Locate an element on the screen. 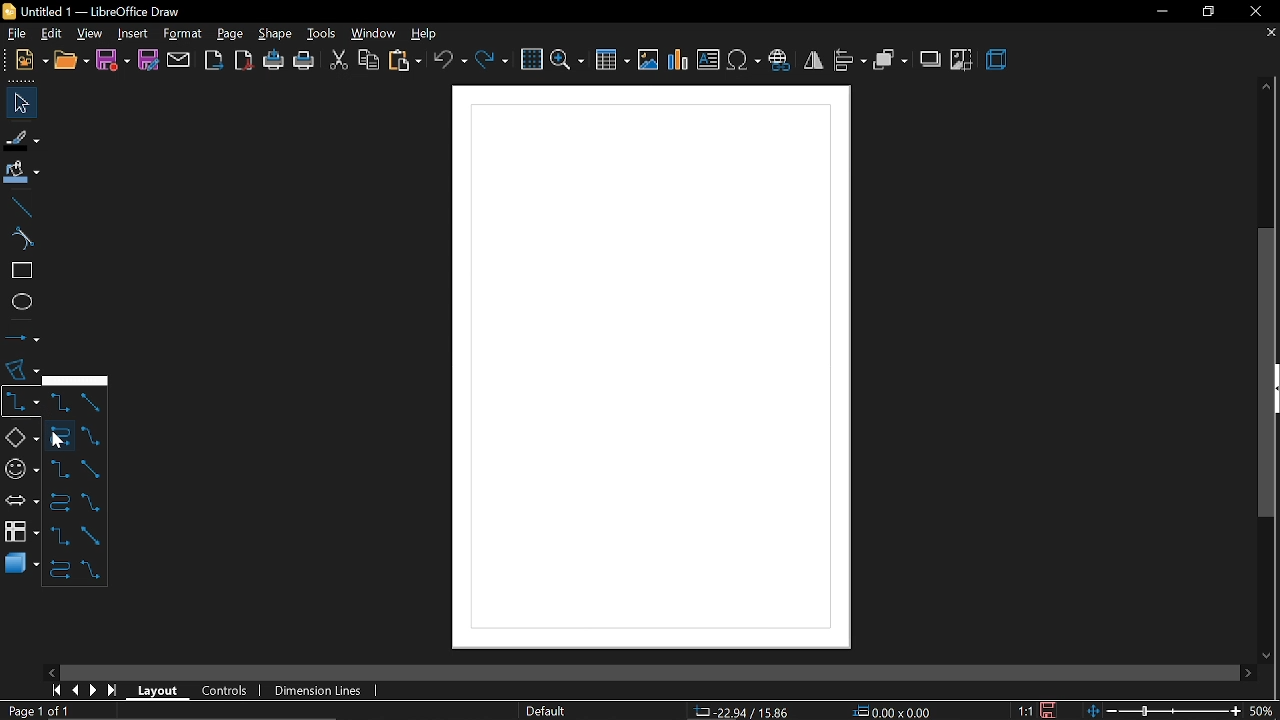 The image size is (1280, 720). save is located at coordinates (113, 61).